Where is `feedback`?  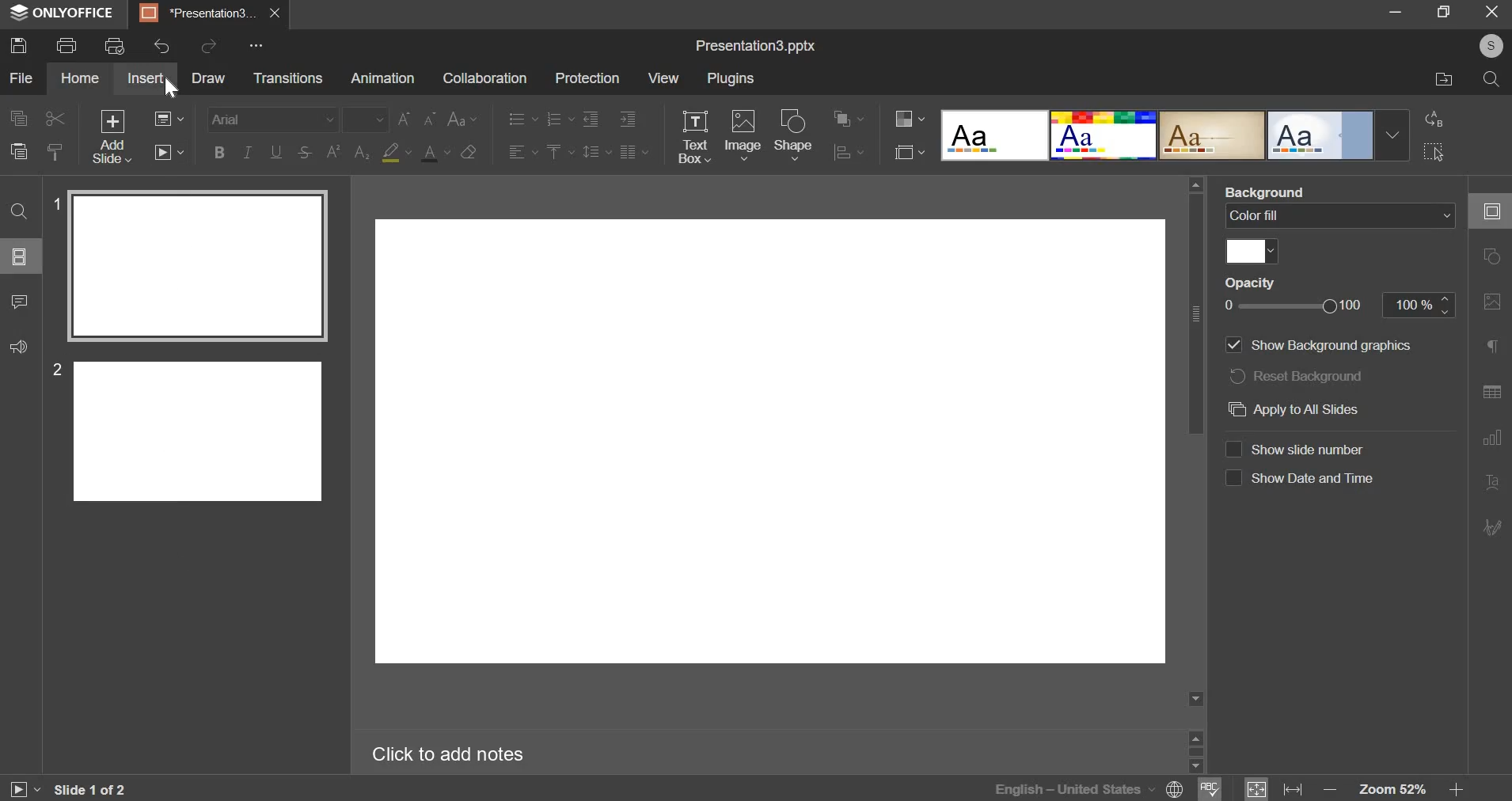
feedback is located at coordinates (19, 347).